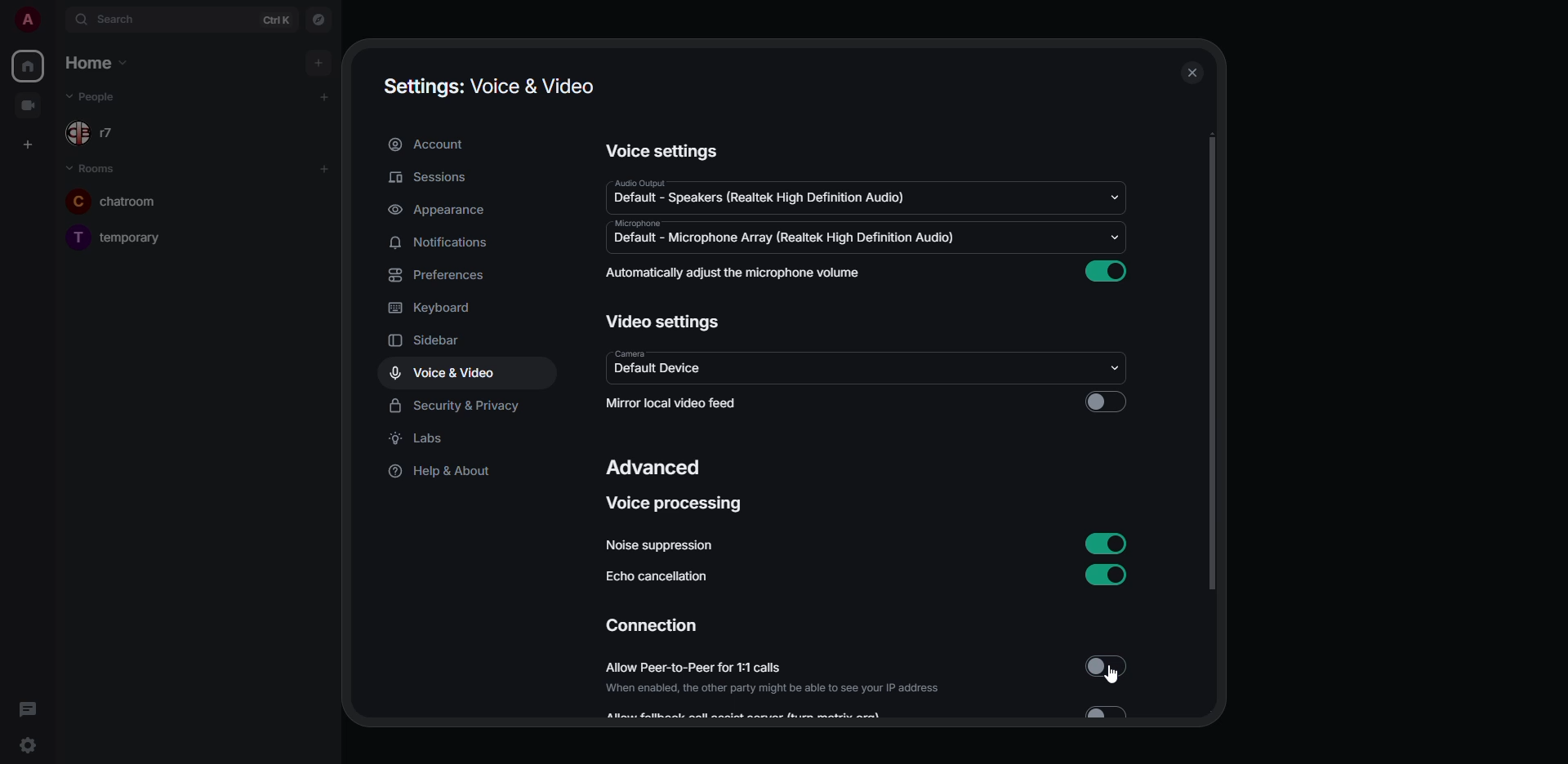 This screenshot has width=1568, height=764. Describe the element at coordinates (654, 627) in the screenshot. I see `connection` at that location.